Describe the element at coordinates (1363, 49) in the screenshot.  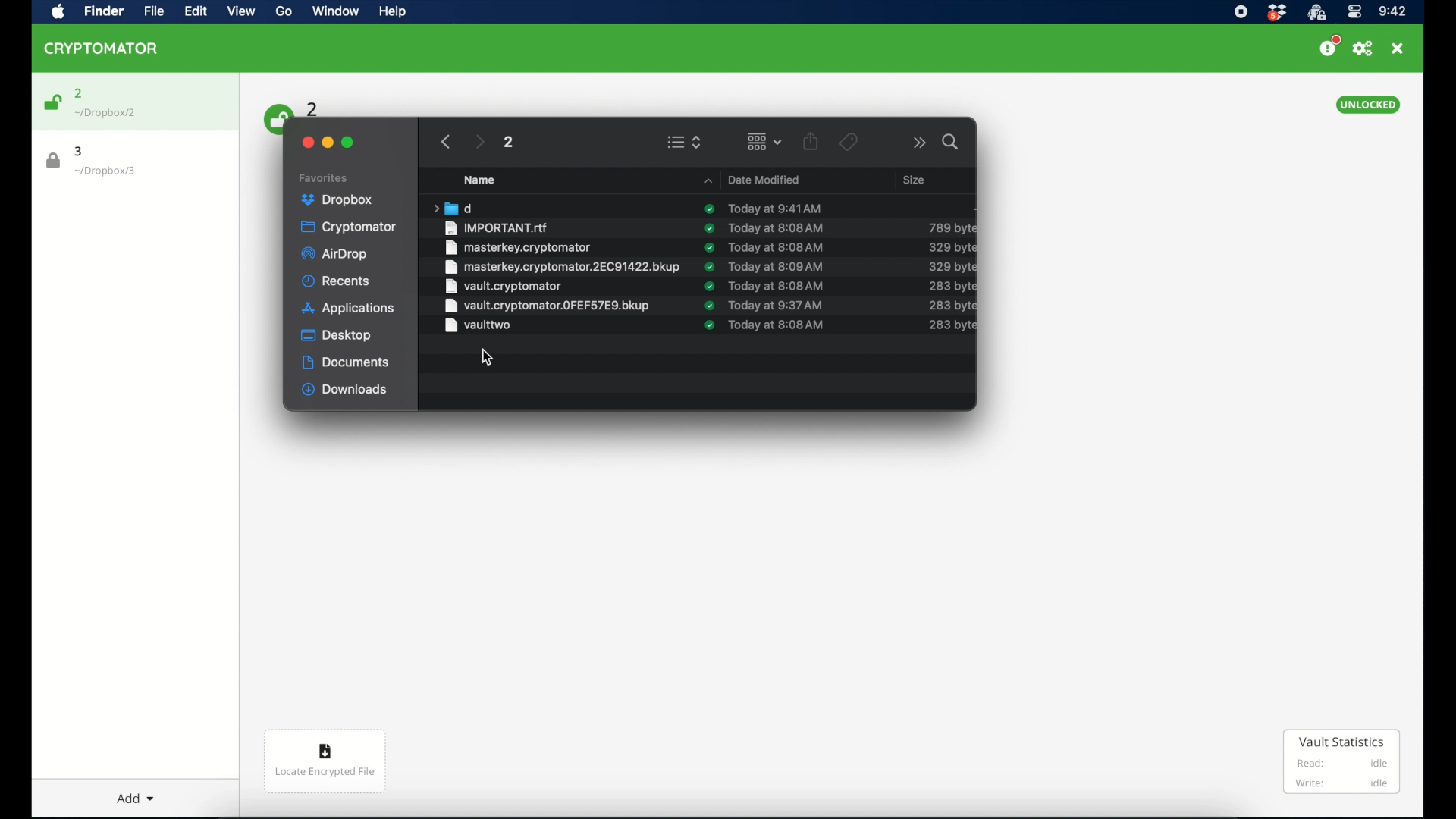
I see `preferences` at that location.